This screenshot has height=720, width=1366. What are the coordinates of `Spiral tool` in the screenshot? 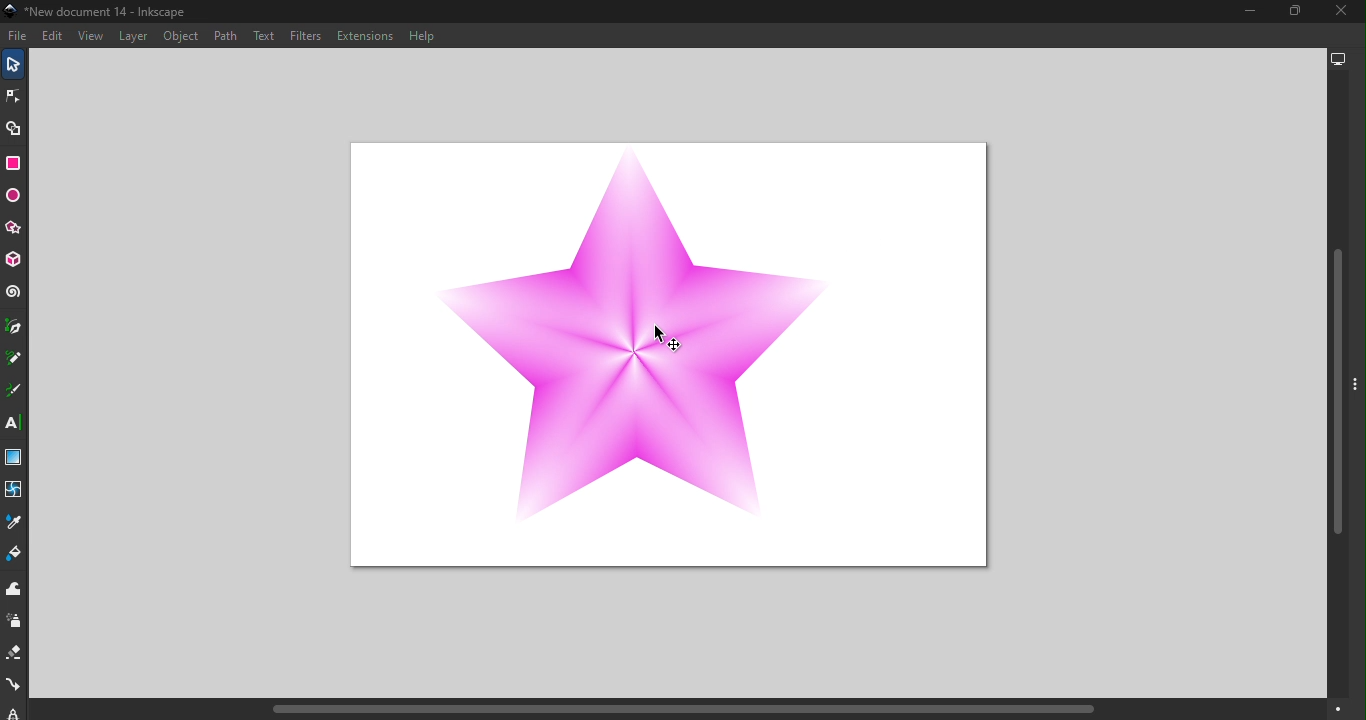 It's located at (16, 294).